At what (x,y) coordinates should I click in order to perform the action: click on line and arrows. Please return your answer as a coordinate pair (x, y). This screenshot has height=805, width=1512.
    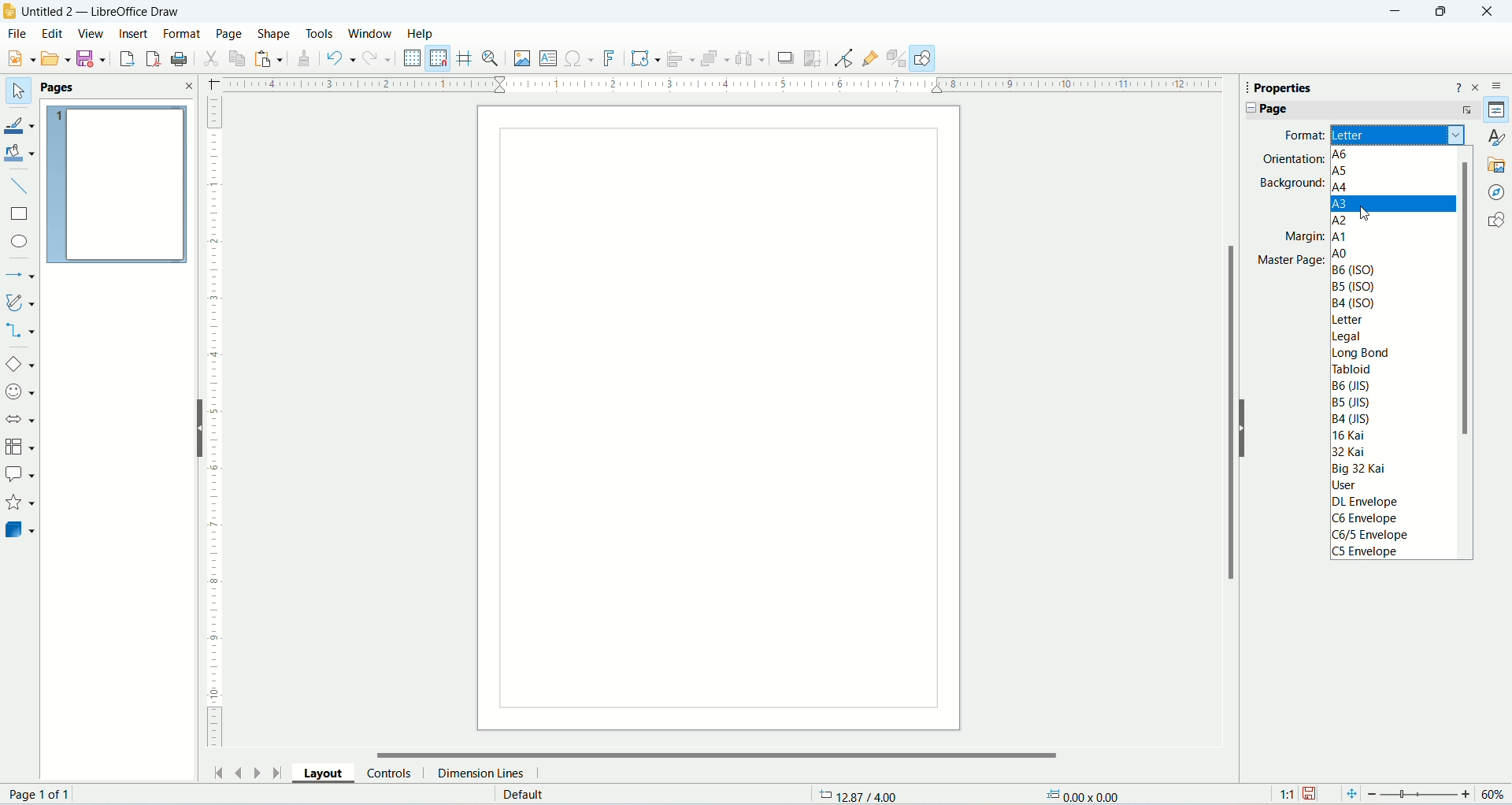
    Looking at the image, I should click on (20, 274).